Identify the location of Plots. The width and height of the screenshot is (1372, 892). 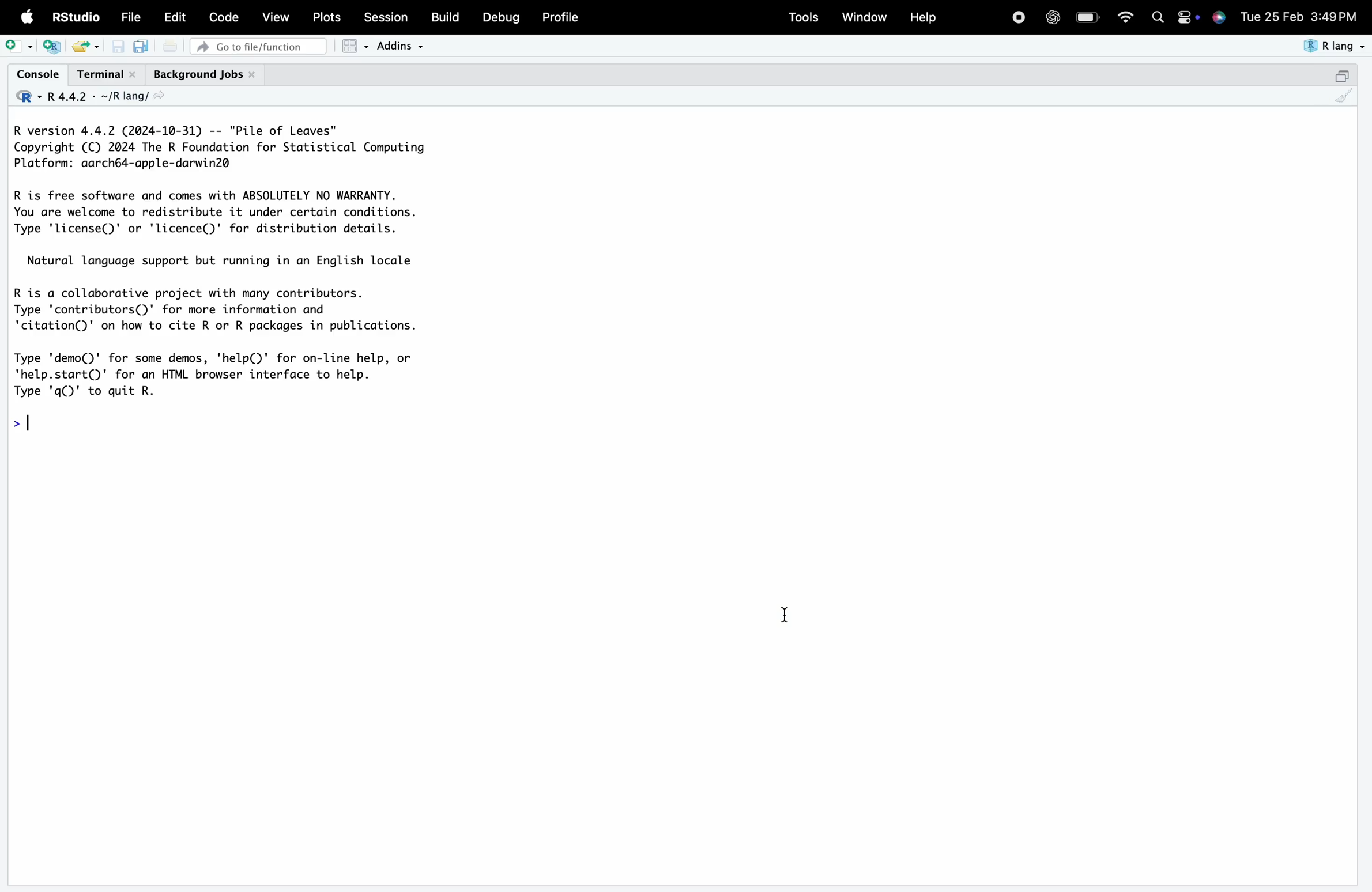
(325, 17).